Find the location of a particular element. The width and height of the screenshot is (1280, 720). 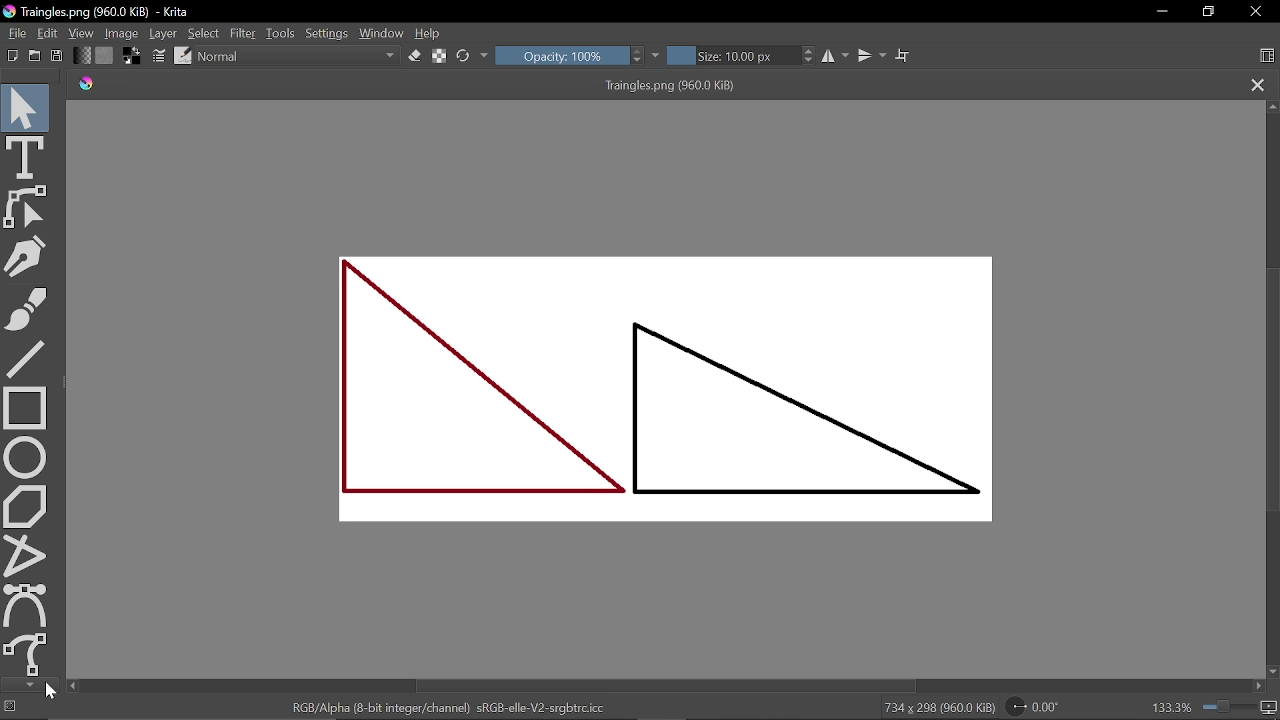

133.3% is located at coordinates (1170, 709).